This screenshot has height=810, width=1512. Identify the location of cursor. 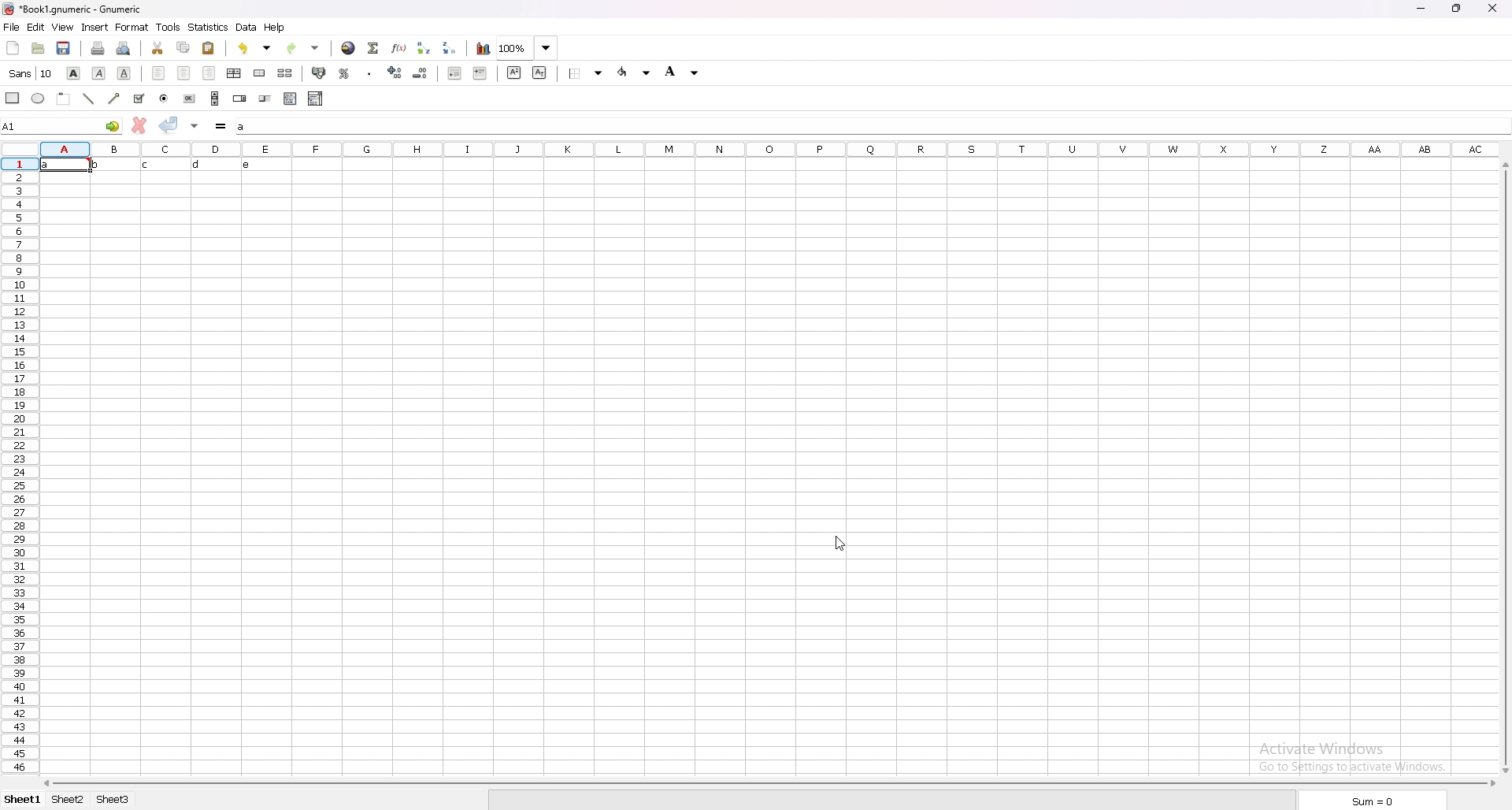
(844, 541).